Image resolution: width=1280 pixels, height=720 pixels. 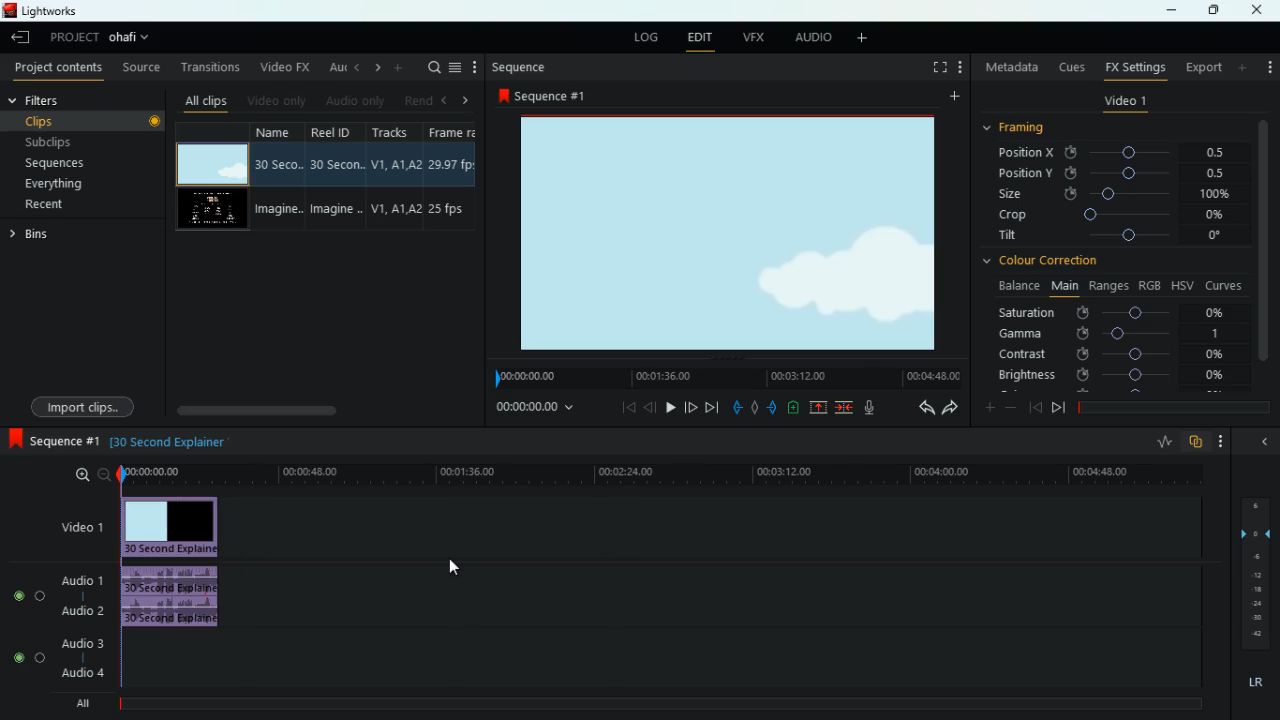 I want to click on saturation, so click(x=1113, y=314).